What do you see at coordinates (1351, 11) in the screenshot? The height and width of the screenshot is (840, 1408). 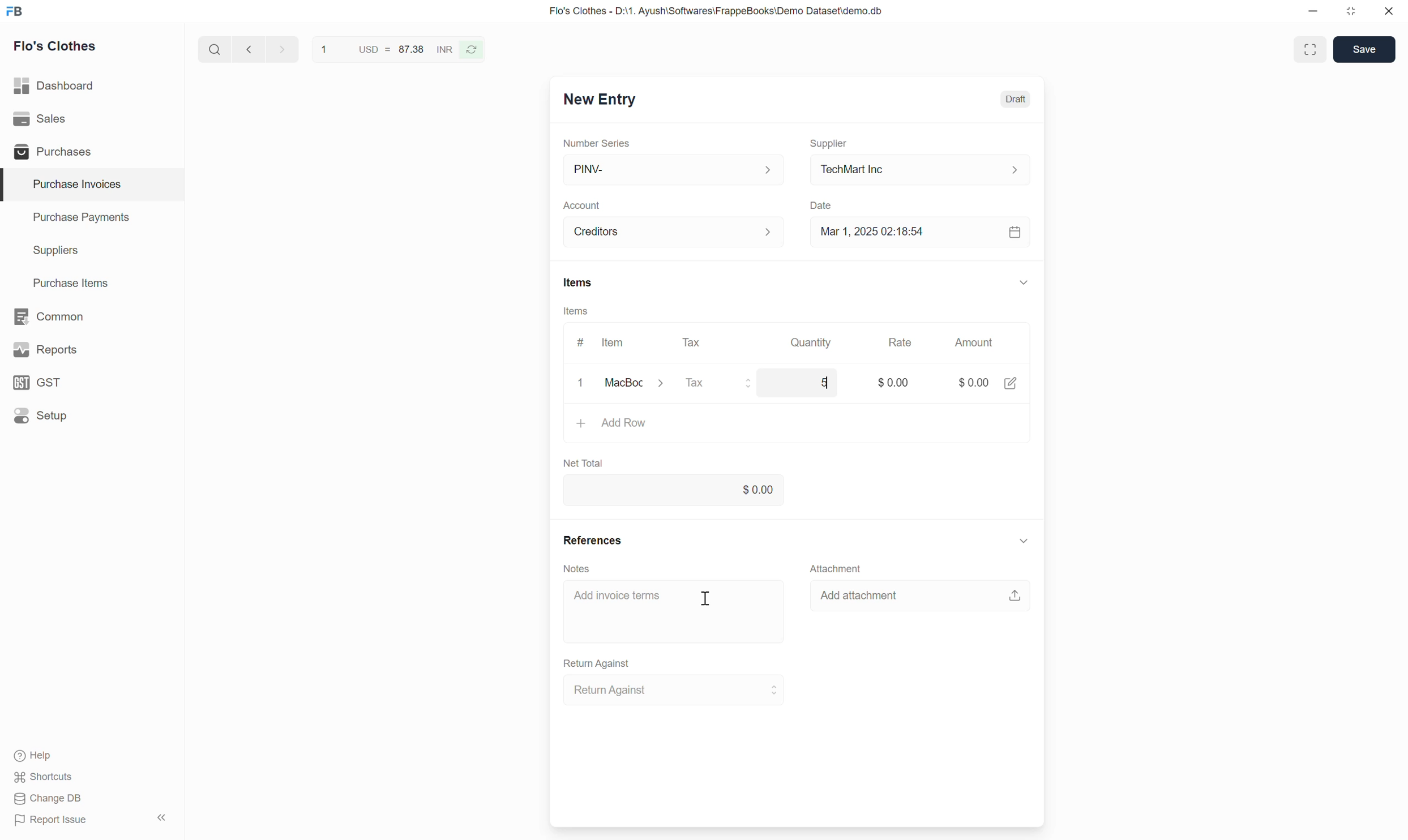 I see `Change dimension` at bounding box center [1351, 11].